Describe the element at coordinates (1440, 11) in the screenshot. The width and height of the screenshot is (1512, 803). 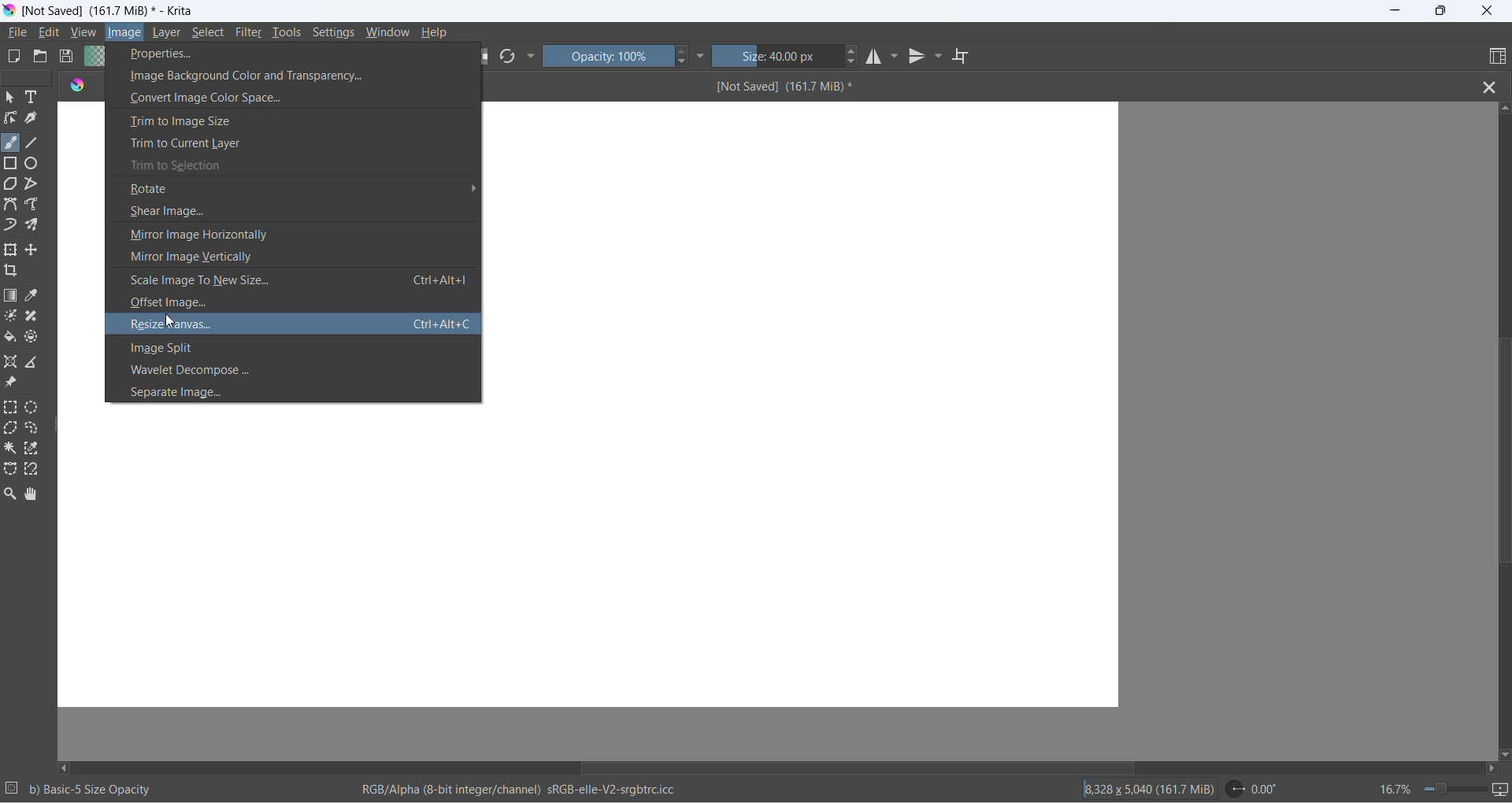
I see `maximize` at that location.